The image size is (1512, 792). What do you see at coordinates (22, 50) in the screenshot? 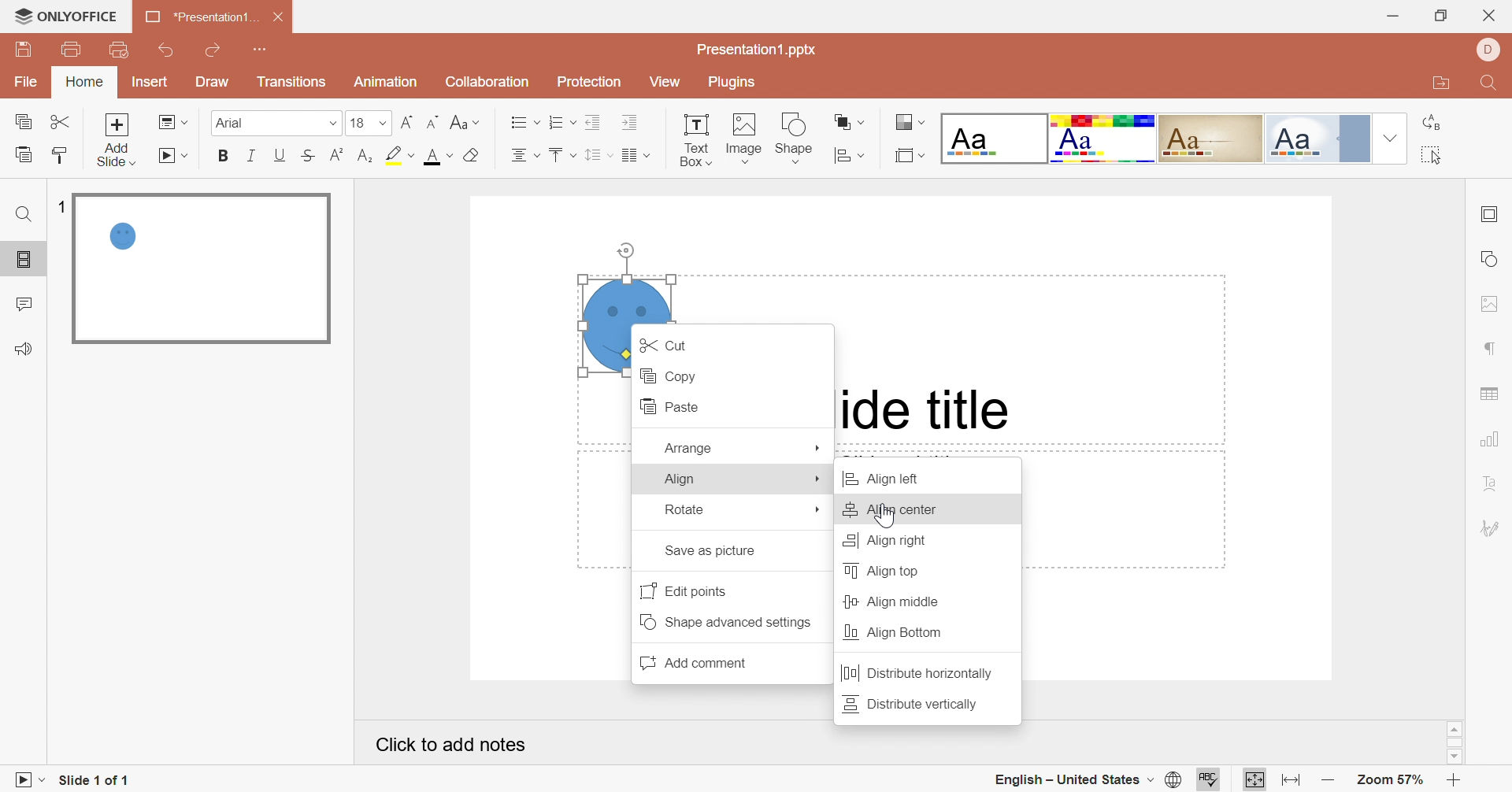
I see `Save` at bounding box center [22, 50].